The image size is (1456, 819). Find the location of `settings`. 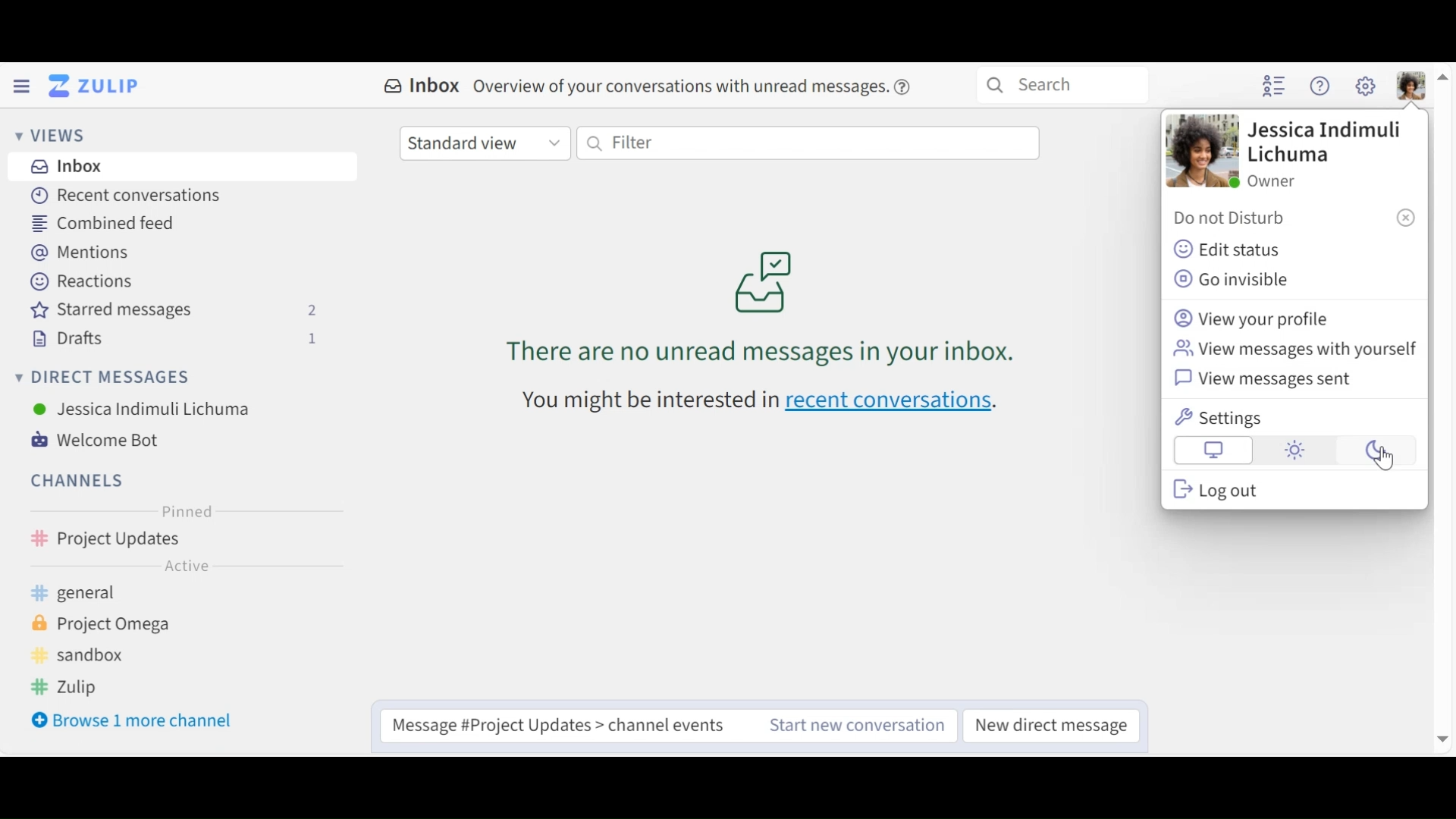

settings is located at coordinates (1364, 86).